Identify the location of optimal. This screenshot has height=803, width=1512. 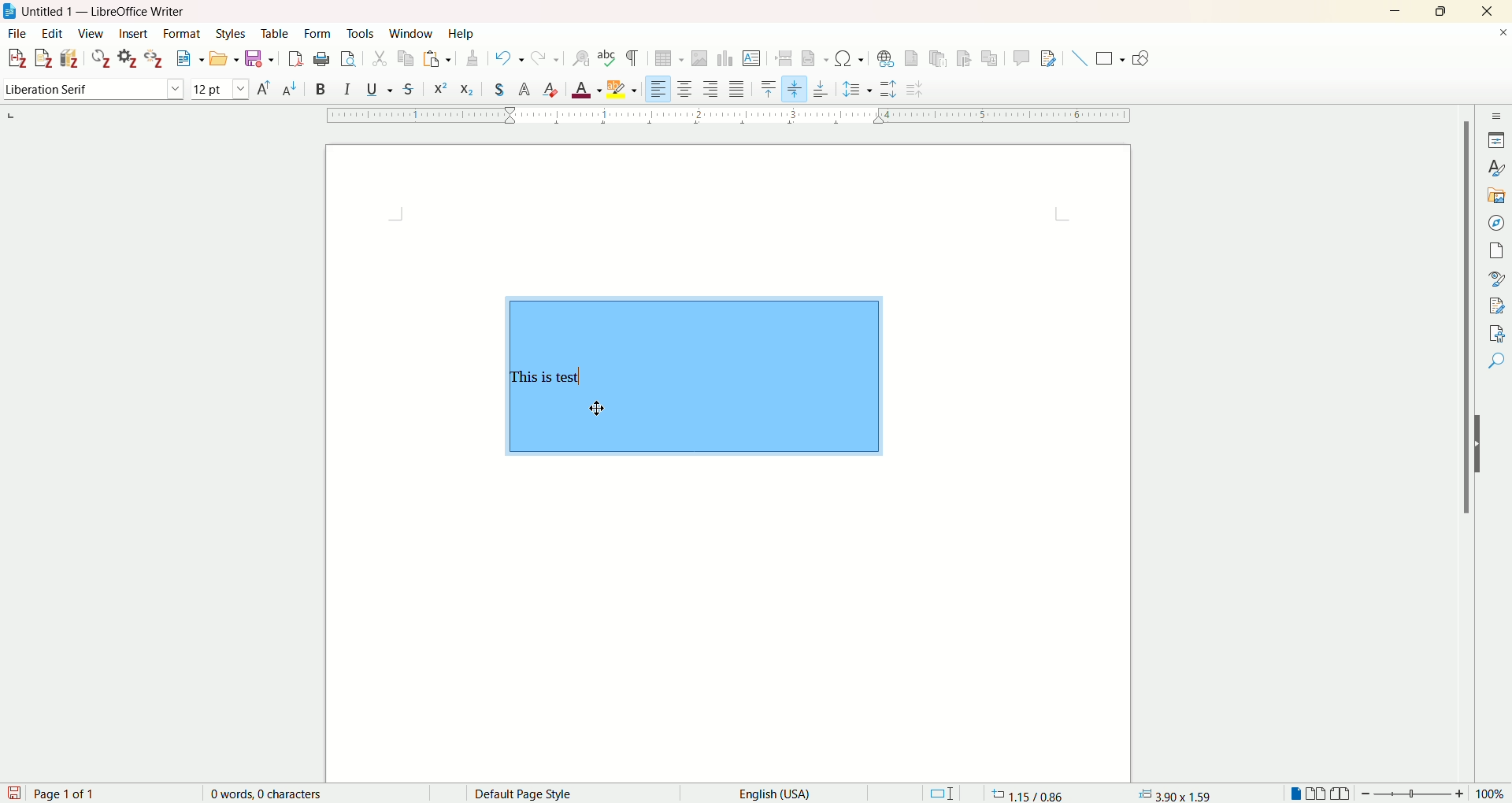
(111, 89).